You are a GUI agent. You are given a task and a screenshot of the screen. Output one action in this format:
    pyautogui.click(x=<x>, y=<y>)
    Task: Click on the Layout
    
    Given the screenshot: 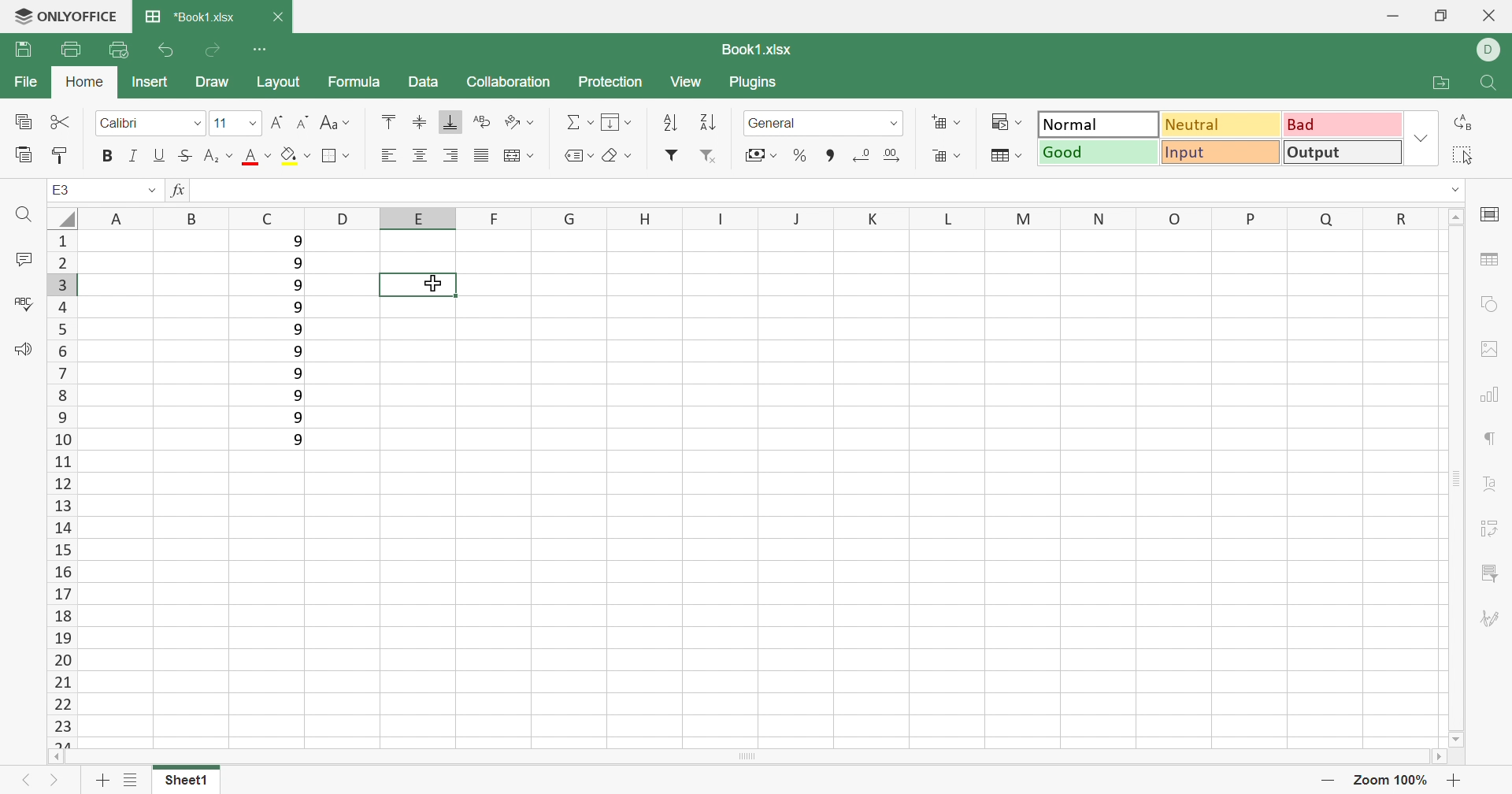 What is the action you would take?
    pyautogui.click(x=277, y=82)
    